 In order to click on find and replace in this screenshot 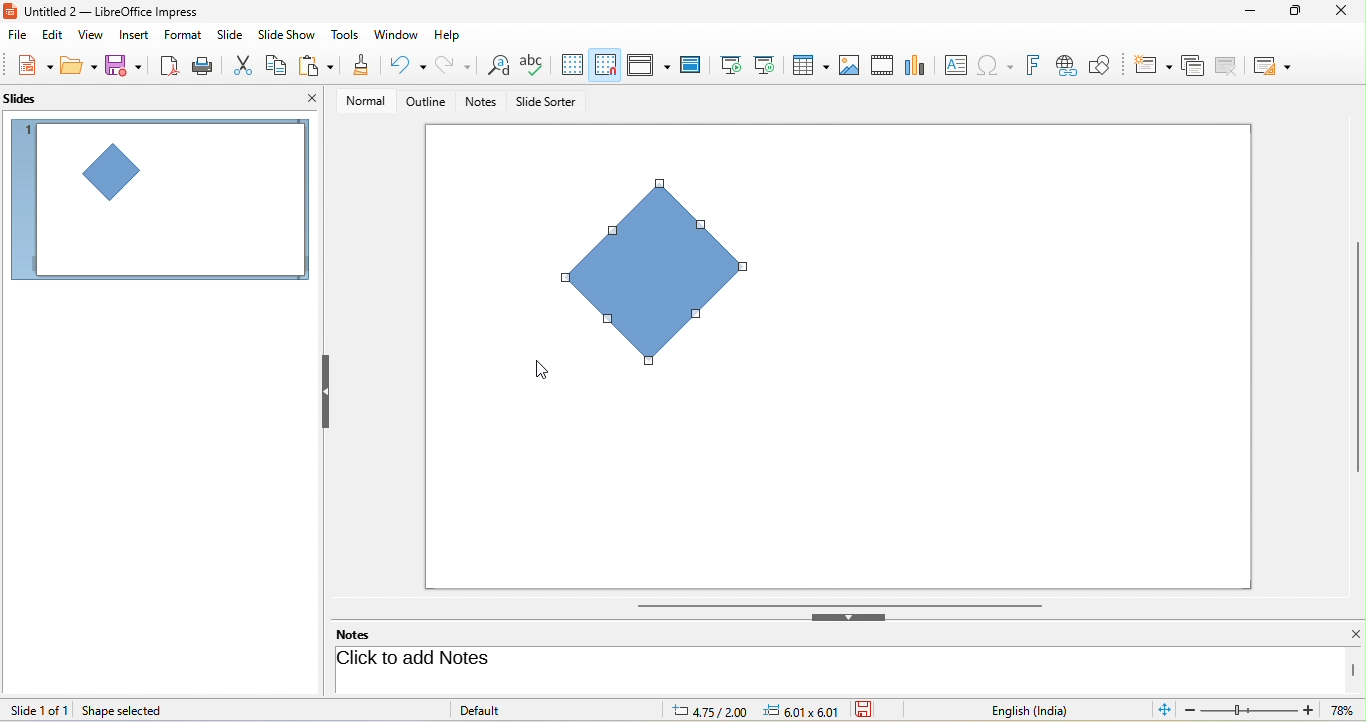, I will do `click(496, 67)`.